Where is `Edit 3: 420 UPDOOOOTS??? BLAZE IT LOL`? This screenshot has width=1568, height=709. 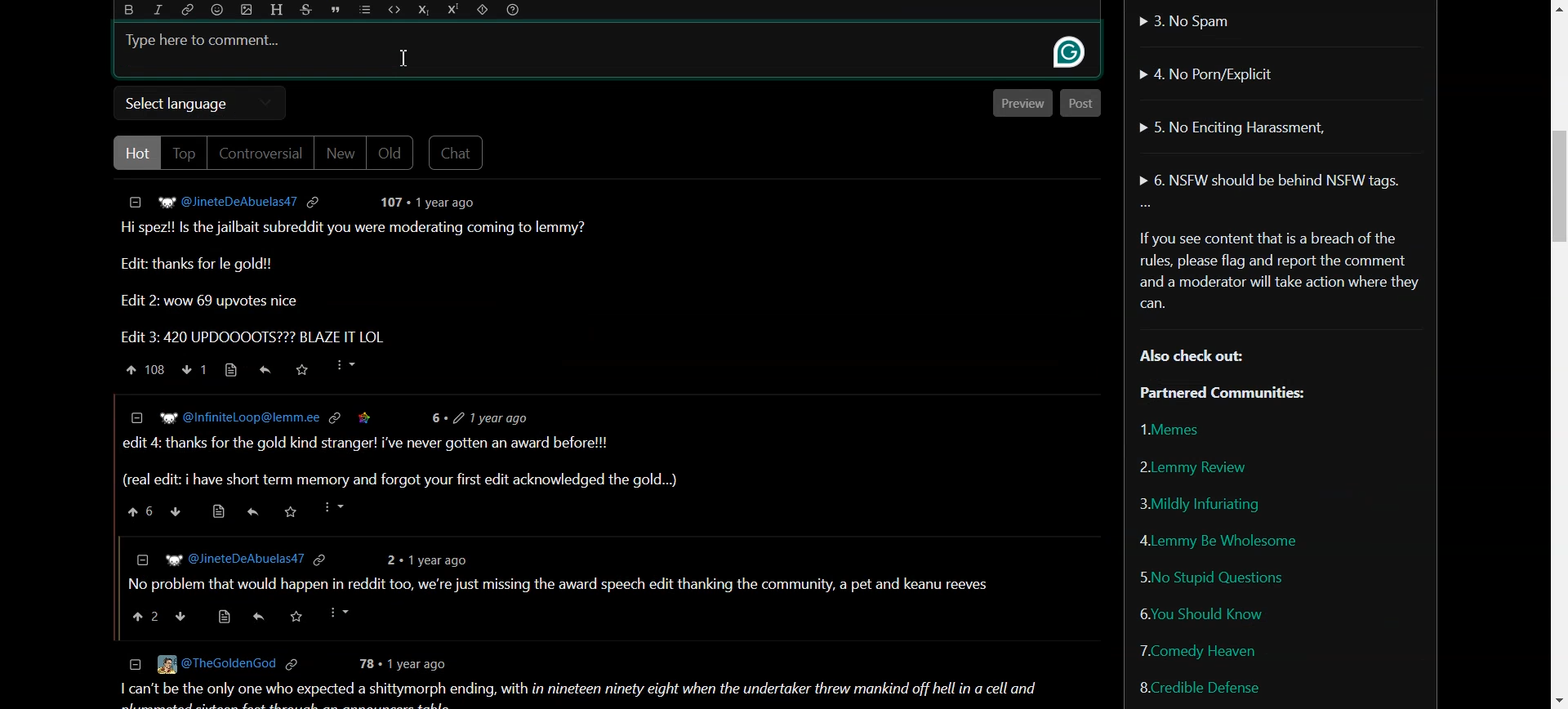 Edit 3: 420 UPDOOOOTS??? BLAZE IT LOL is located at coordinates (243, 338).